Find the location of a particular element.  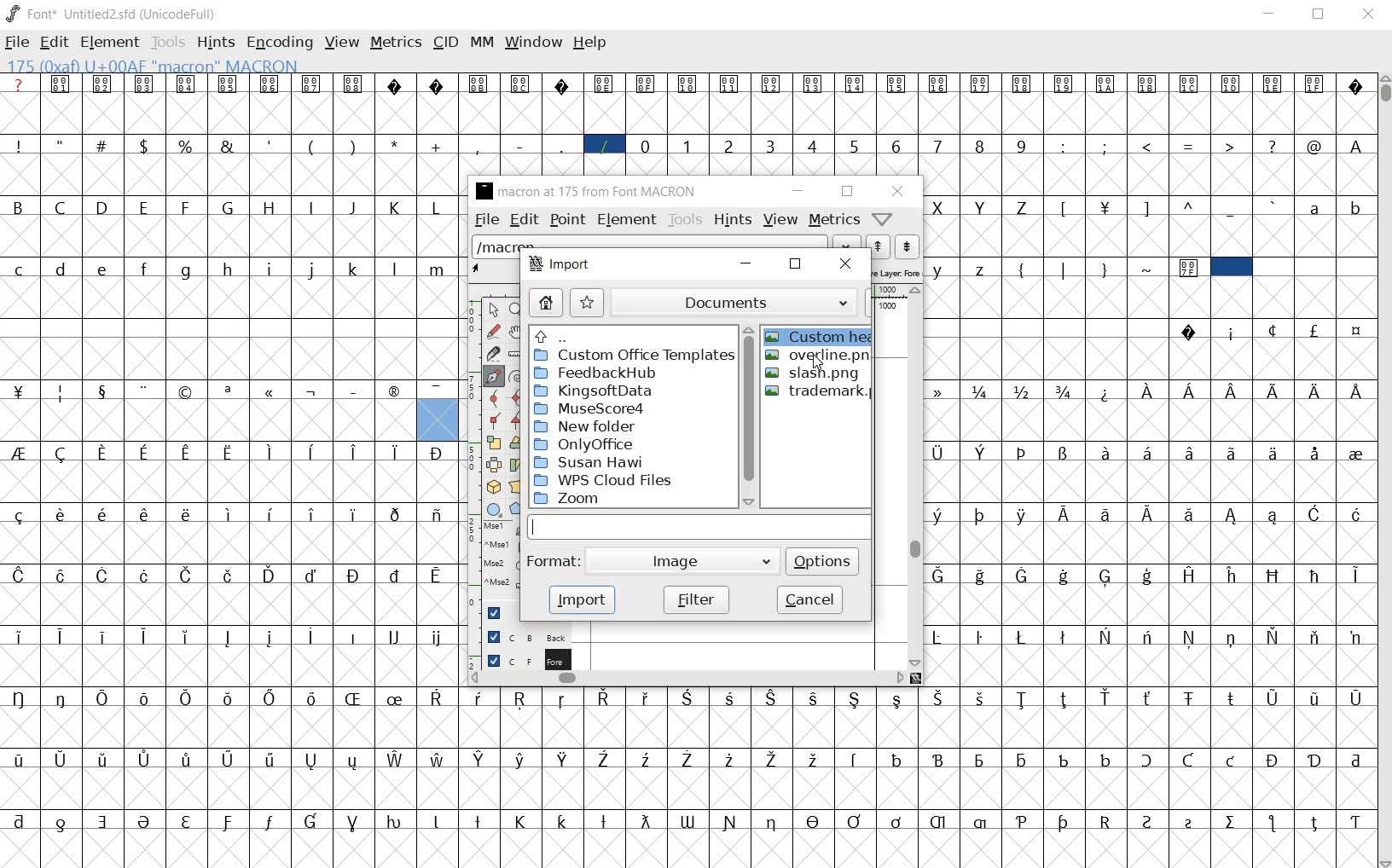

directories is located at coordinates (630, 335).